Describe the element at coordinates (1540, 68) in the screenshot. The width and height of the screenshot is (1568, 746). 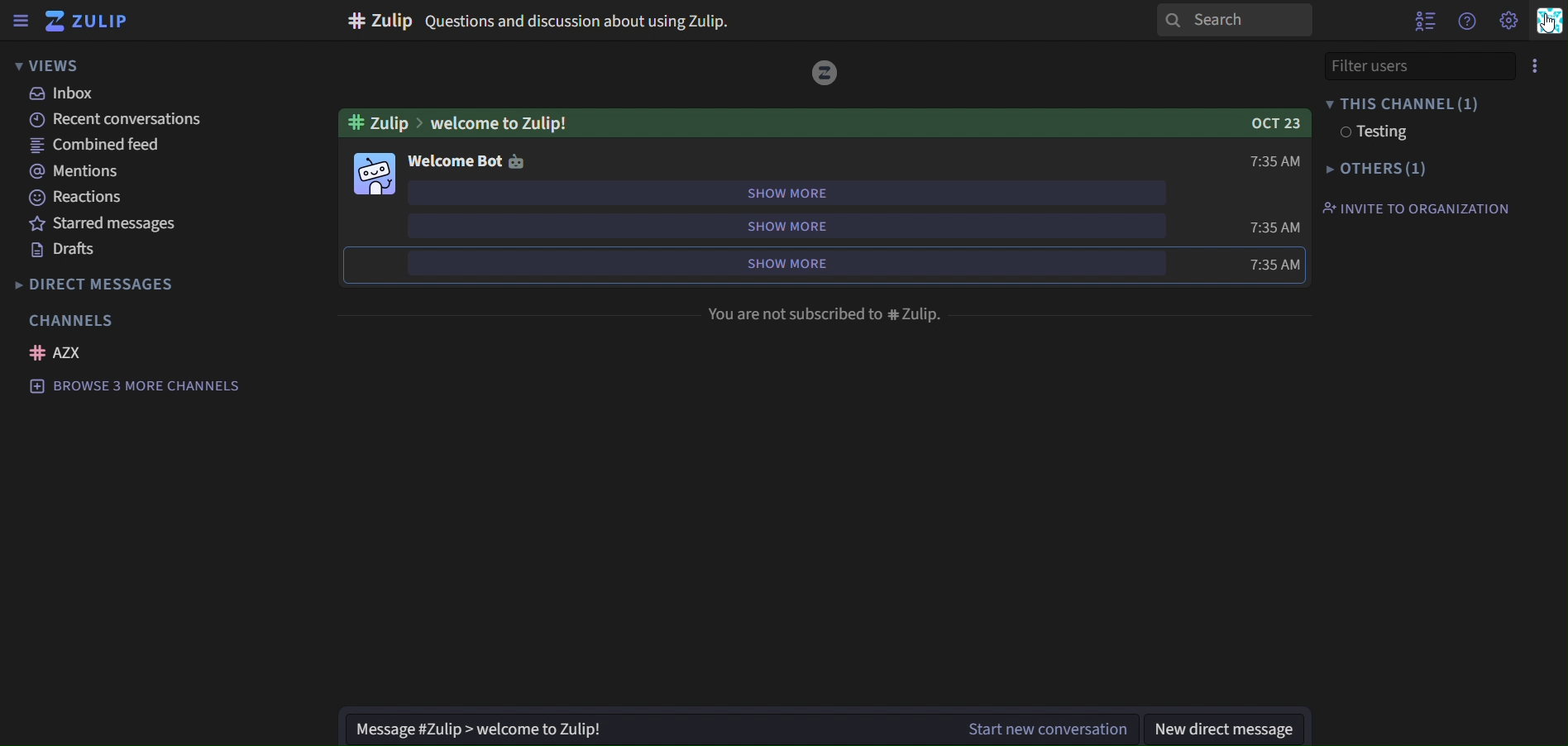
I see `menu` at that location.